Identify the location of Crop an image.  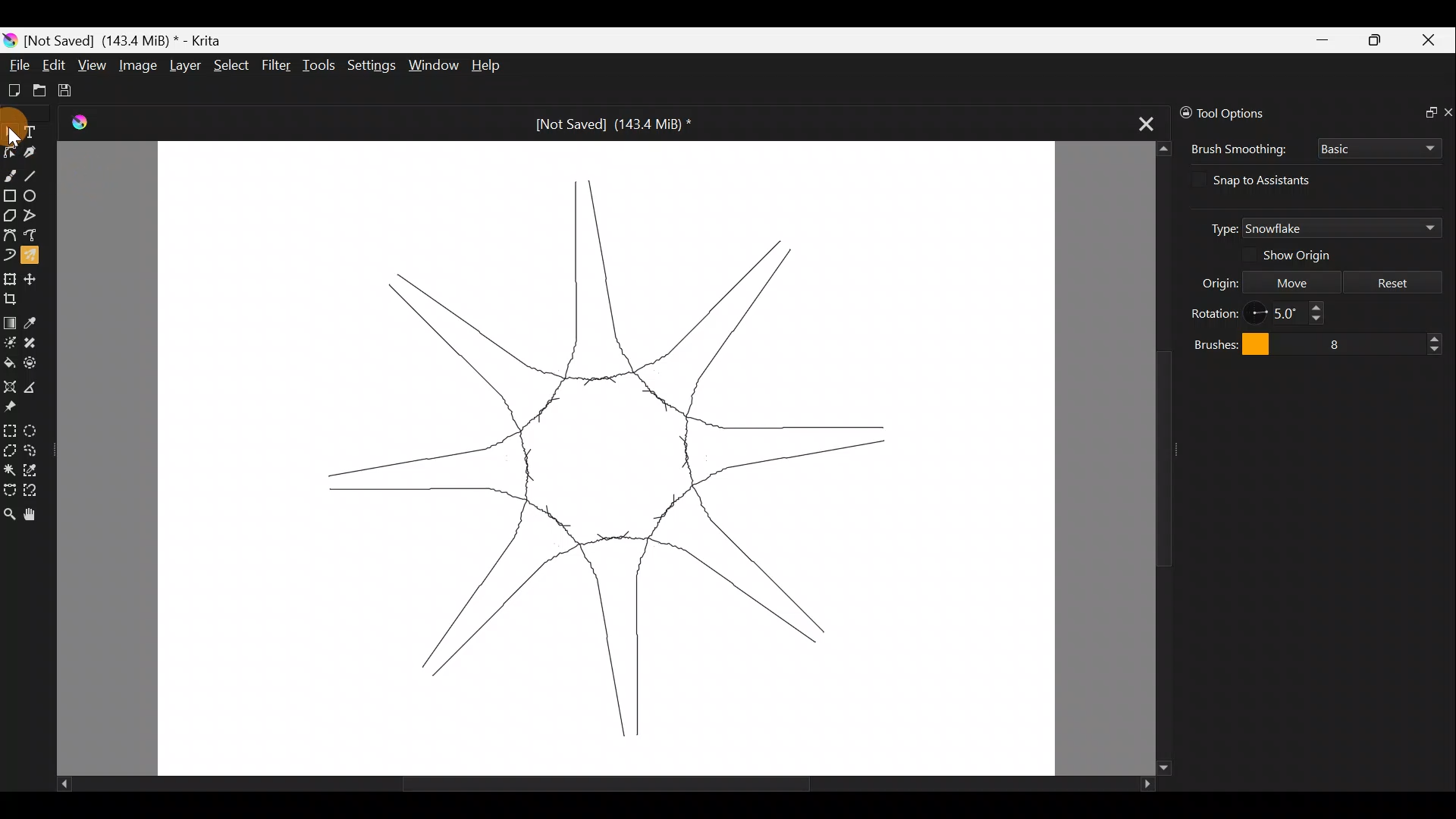
(15, 297).